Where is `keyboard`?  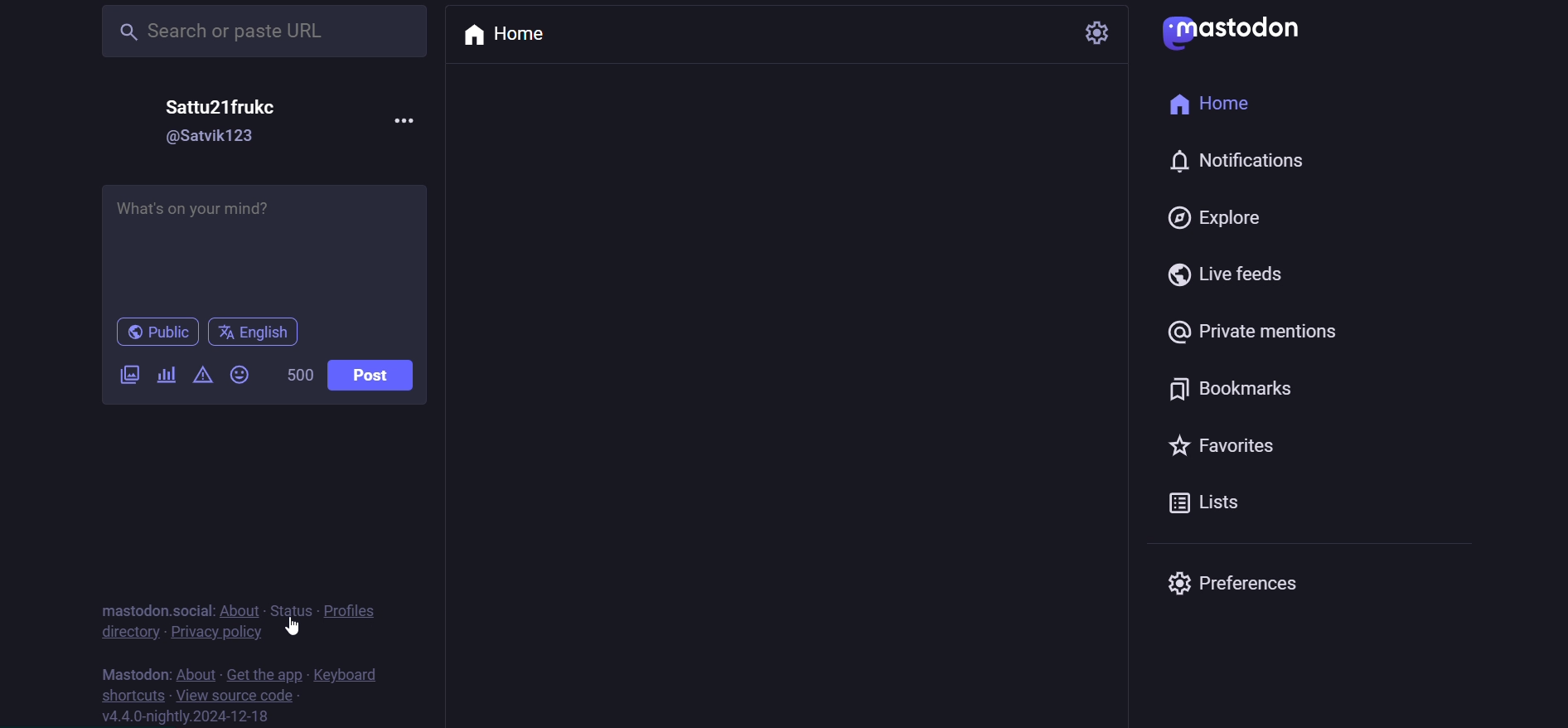
keyboard is located at coordinates (351, 674).